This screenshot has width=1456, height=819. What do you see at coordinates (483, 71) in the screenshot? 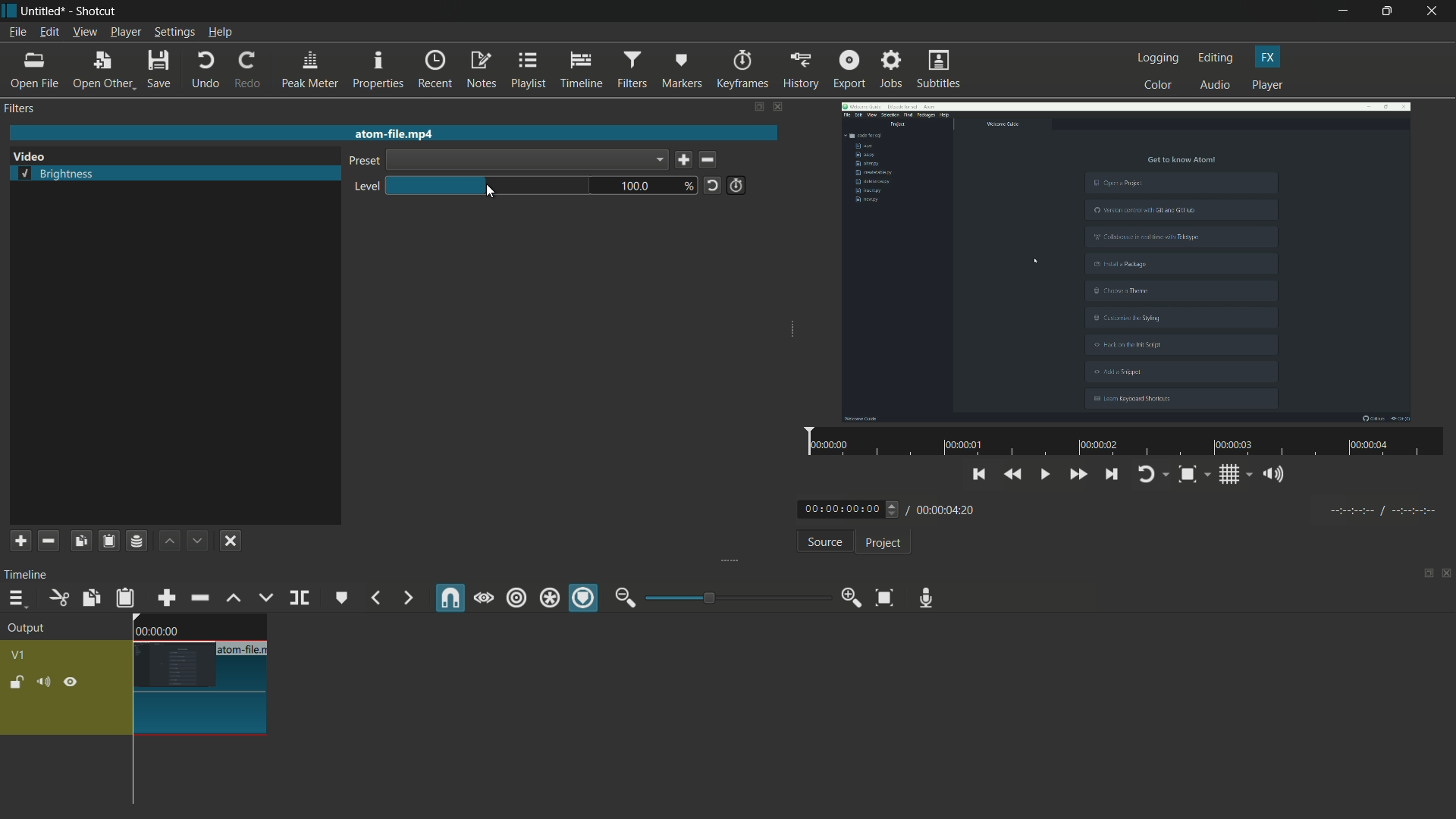
I see `notes` at bounding box center [483, 71].